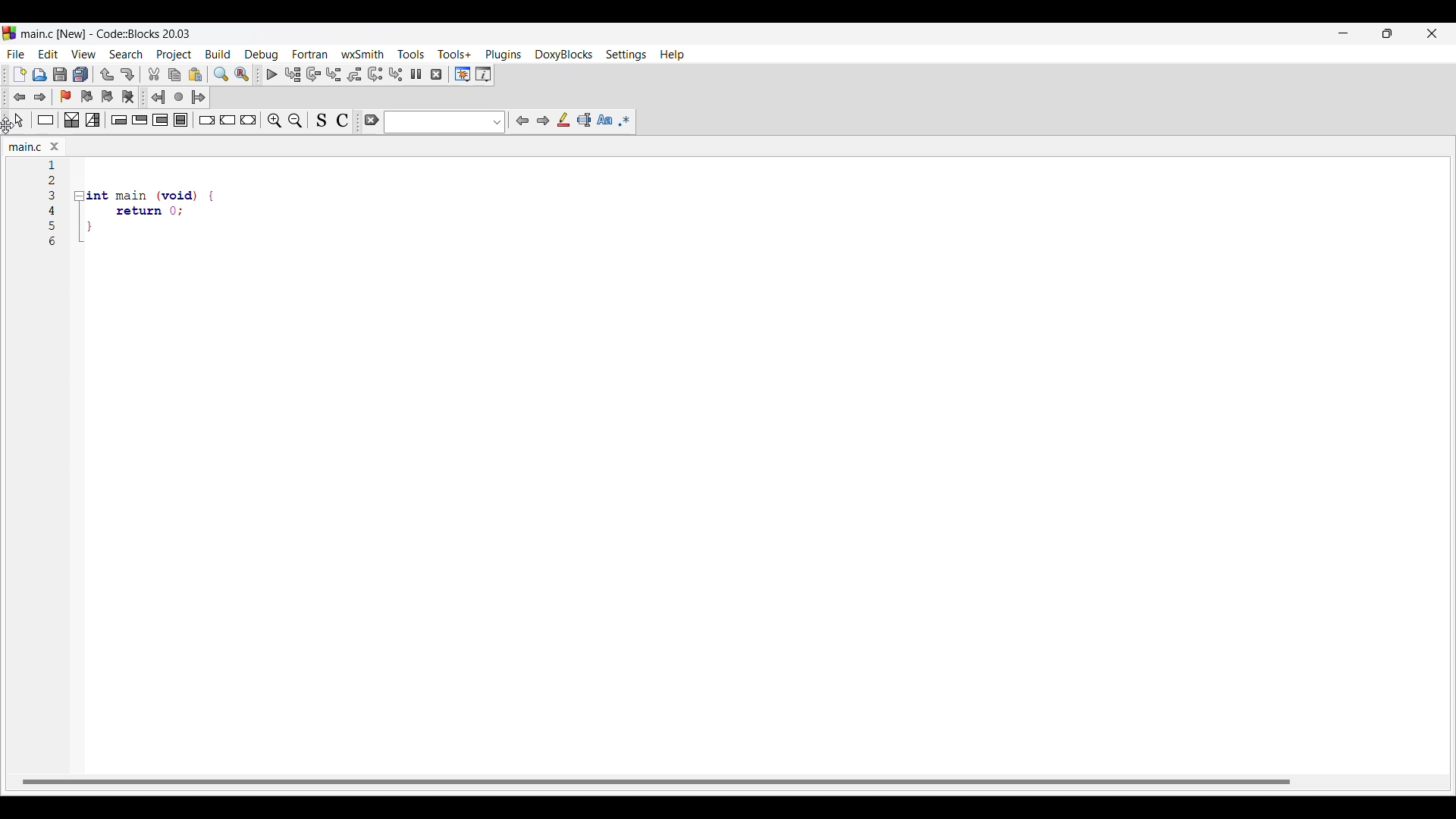 The image size is (1456, 819). I want to click on Current code, so click(53, 165).